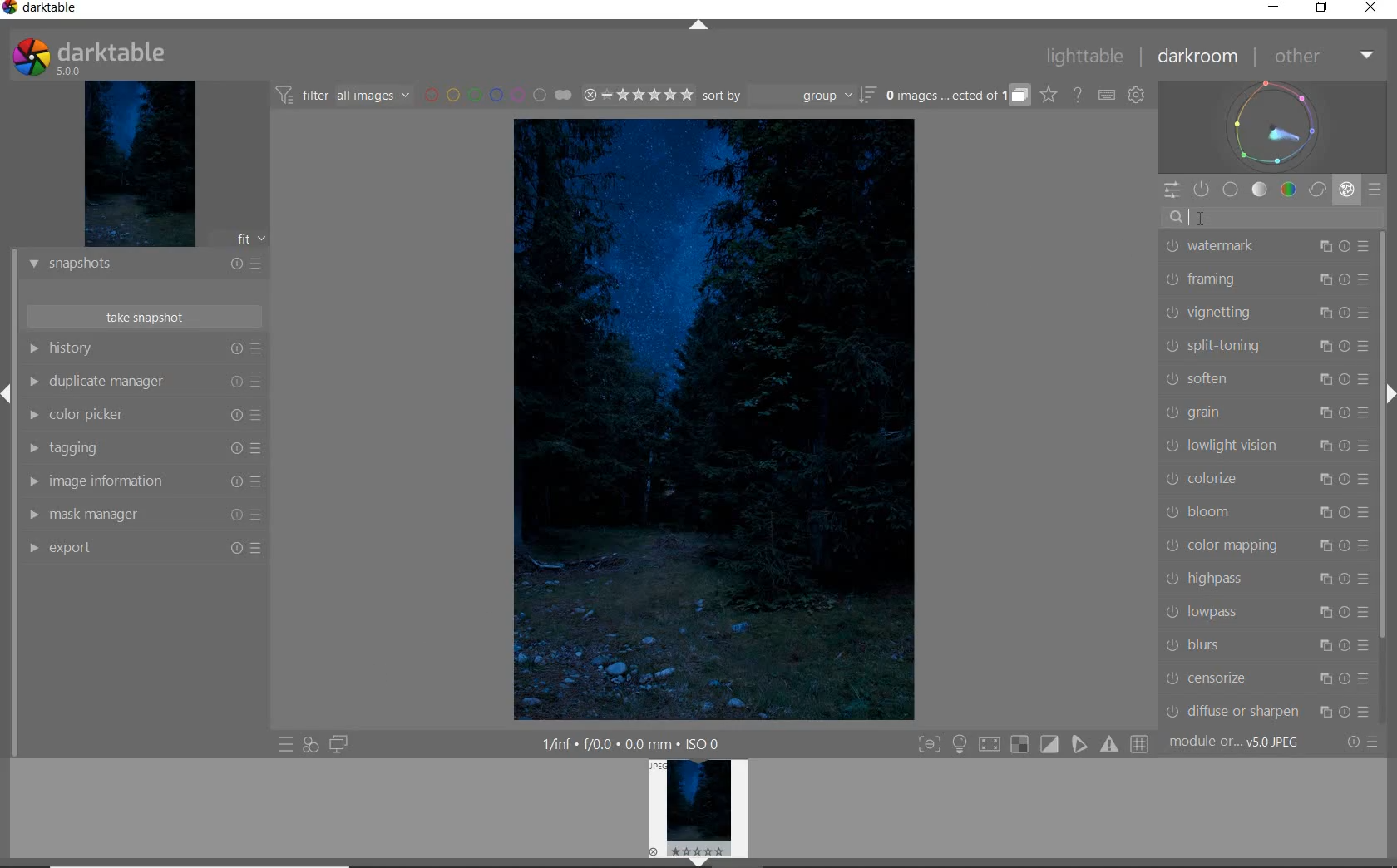 The image size is (1397, 868). What do you see at coordinates (699, 26) in the screenshot?
I see `EXPAND/COLLAPSE` at bounding box center [699, 26].